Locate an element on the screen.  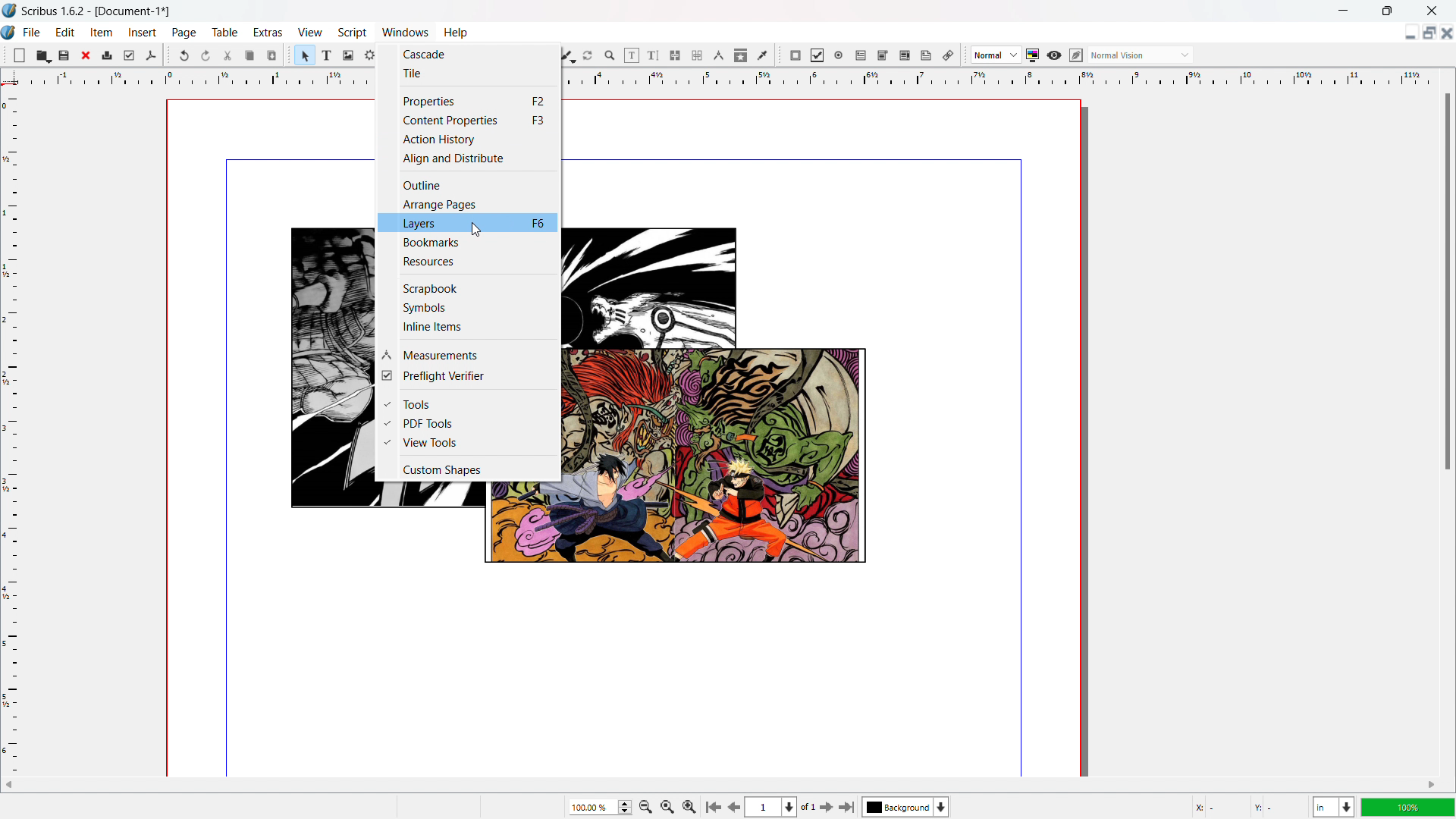
page is located at coordinates (184, 32).